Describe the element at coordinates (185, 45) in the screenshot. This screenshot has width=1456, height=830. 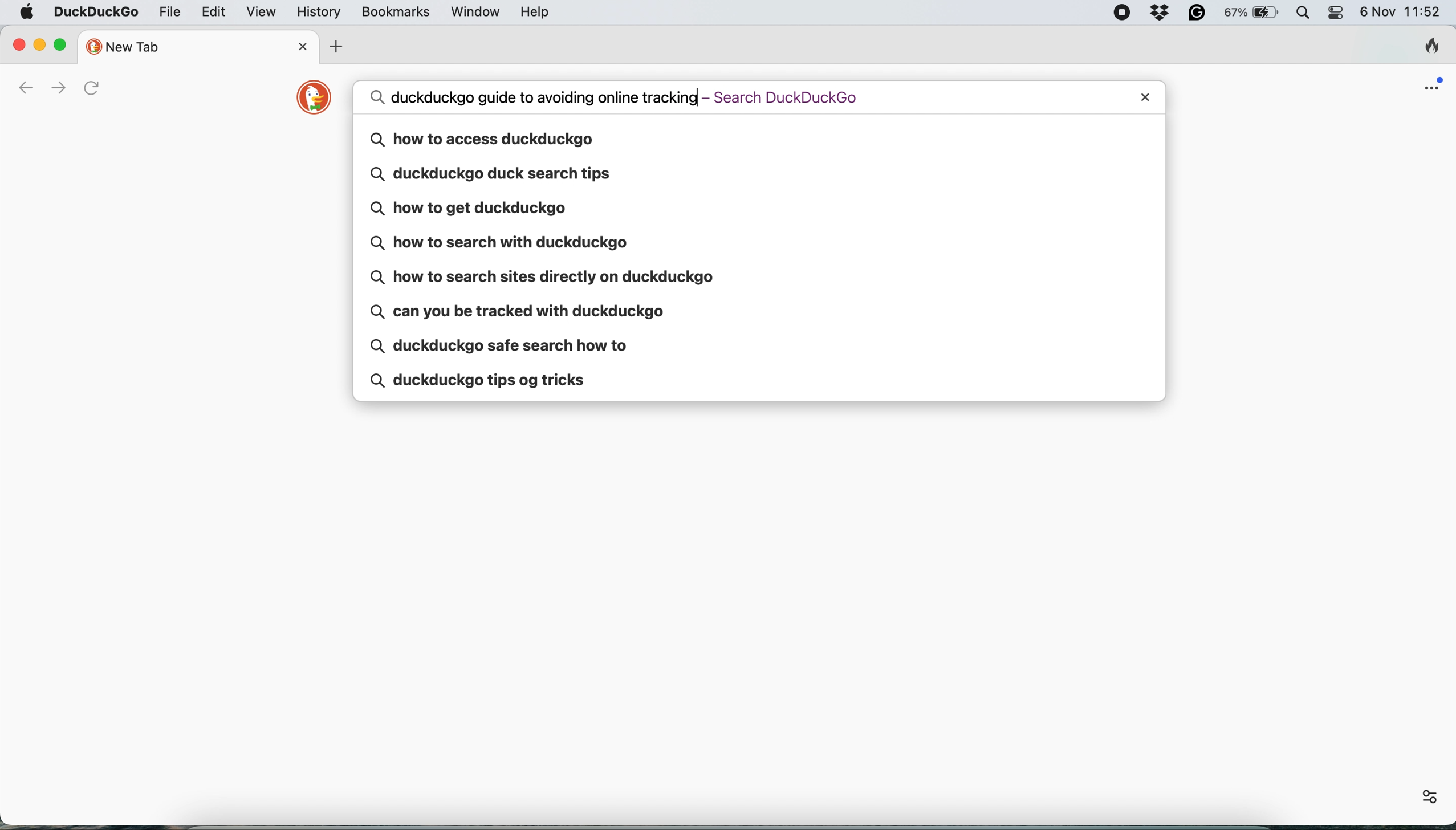
I see `new tab` at that location.